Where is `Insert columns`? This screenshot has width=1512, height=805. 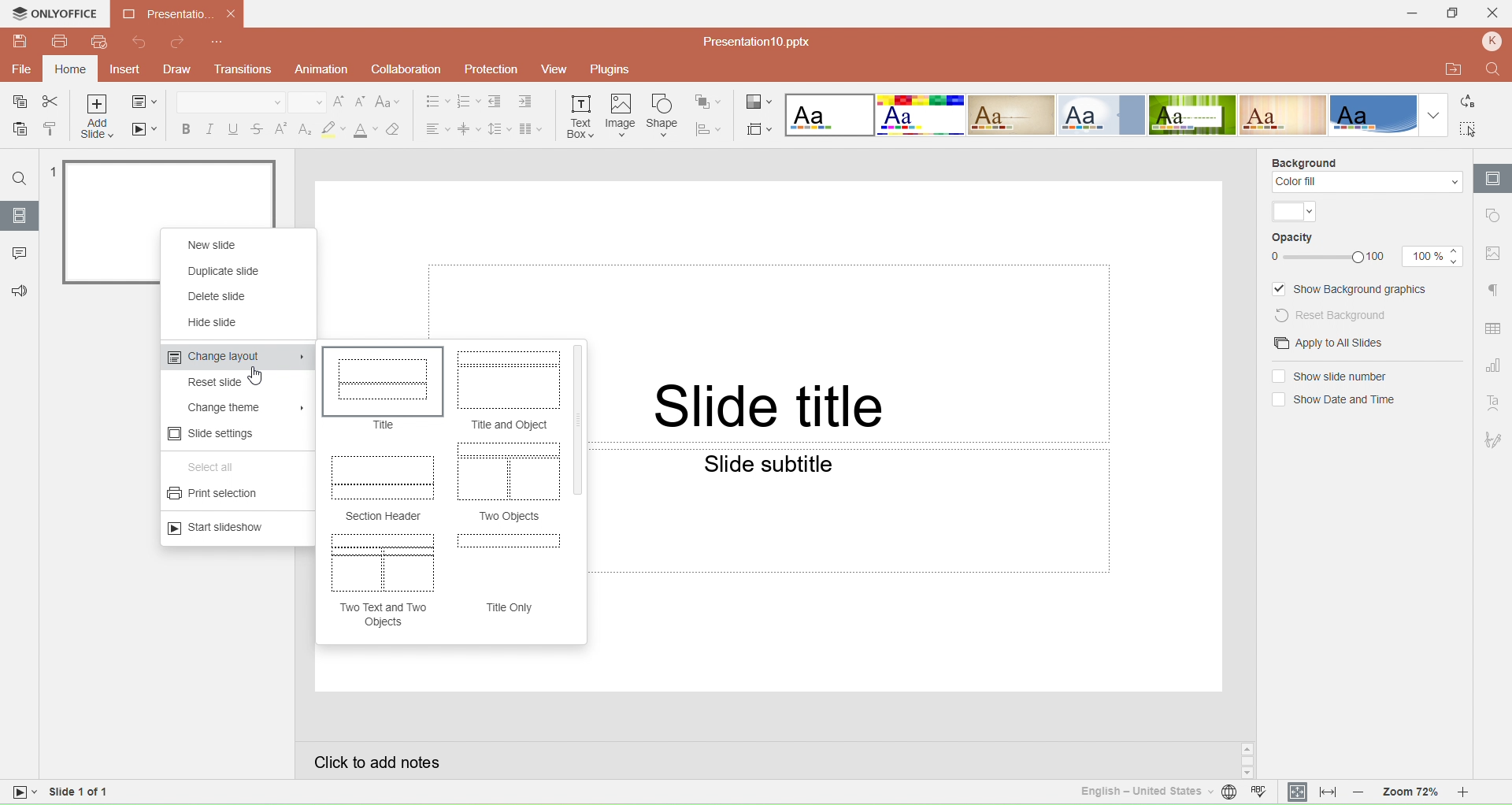
Insert columns is located at coordinates (535, 128).